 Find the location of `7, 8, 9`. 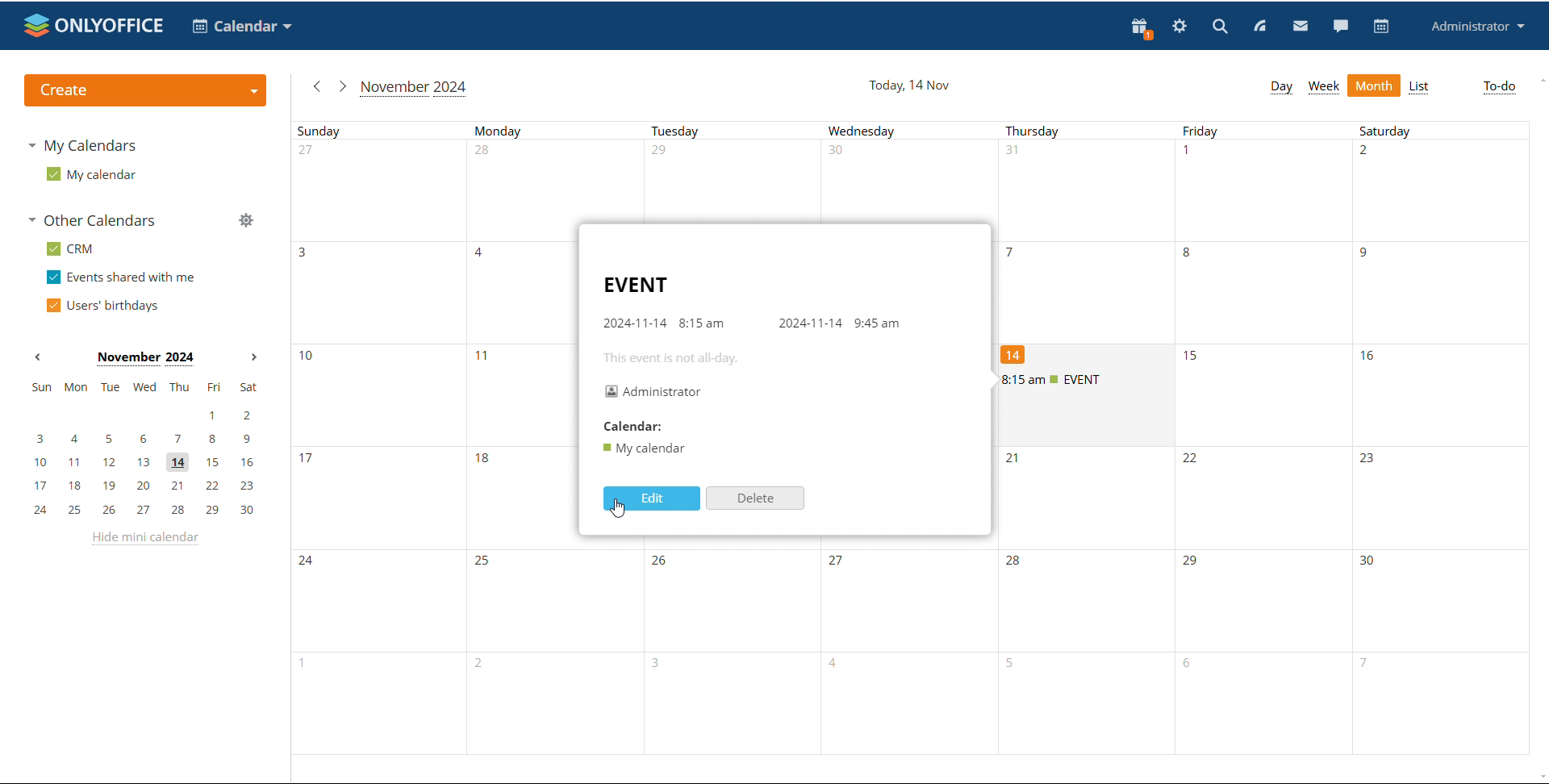

7, 8, 9 is located at coordinates (1271, 291).